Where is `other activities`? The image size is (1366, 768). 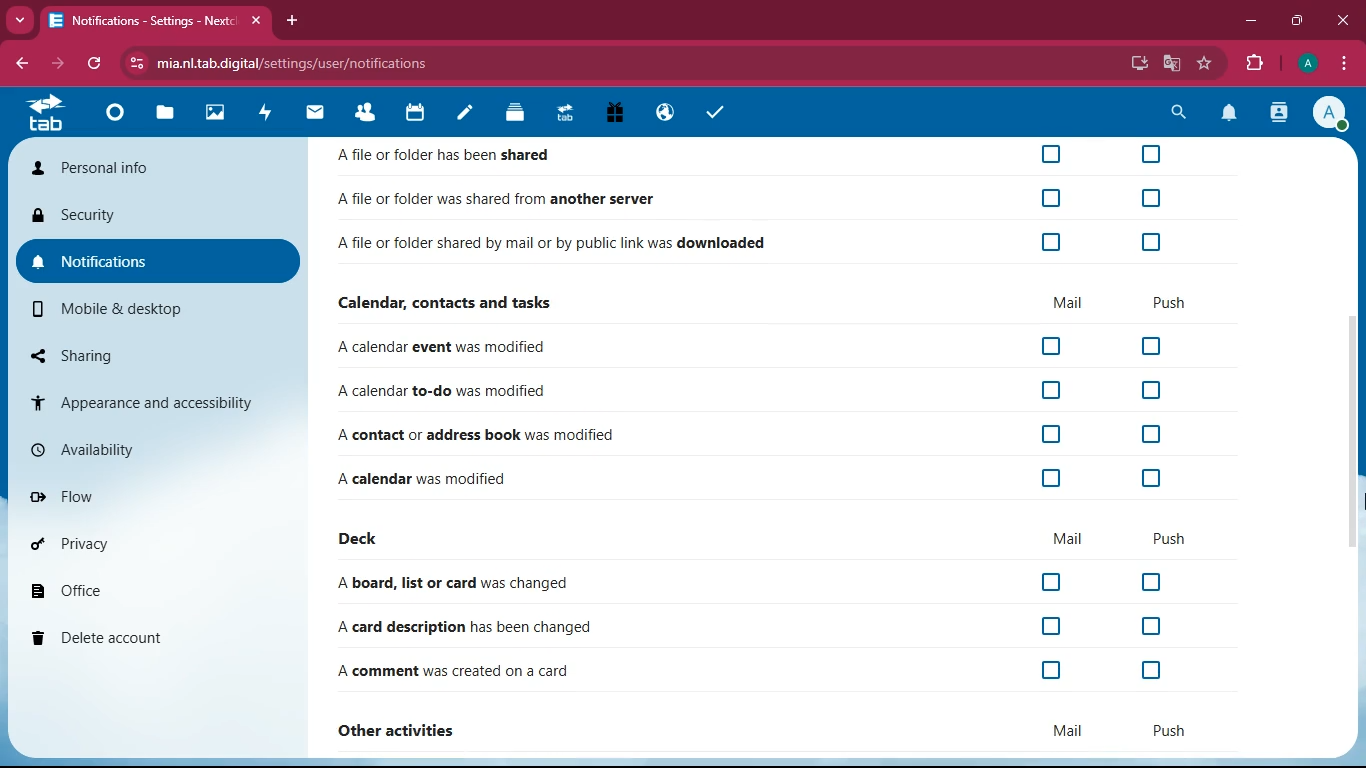
other activities is located at coordinates (406, 732).